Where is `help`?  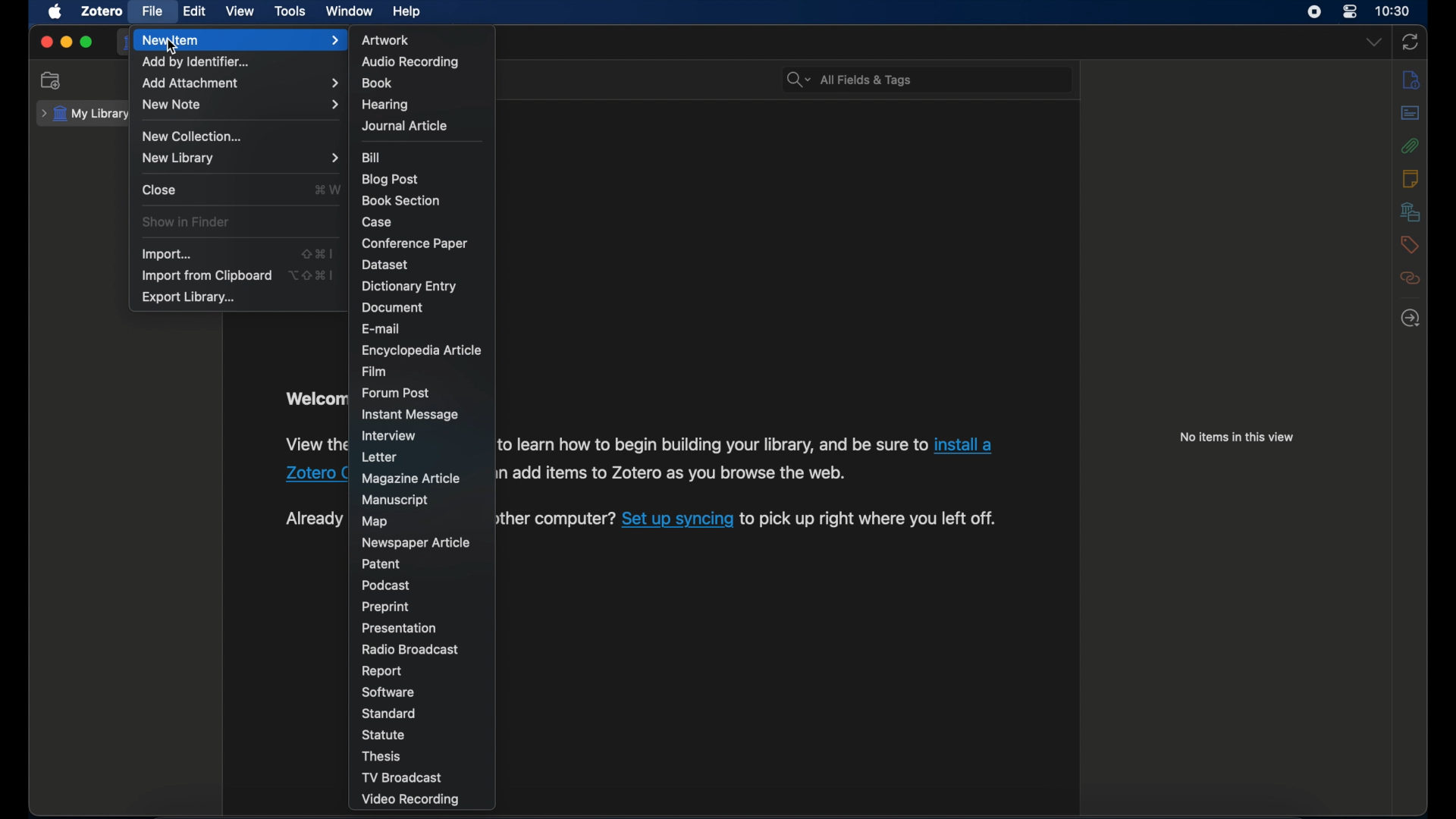
help is located at coordinates (406, 12).